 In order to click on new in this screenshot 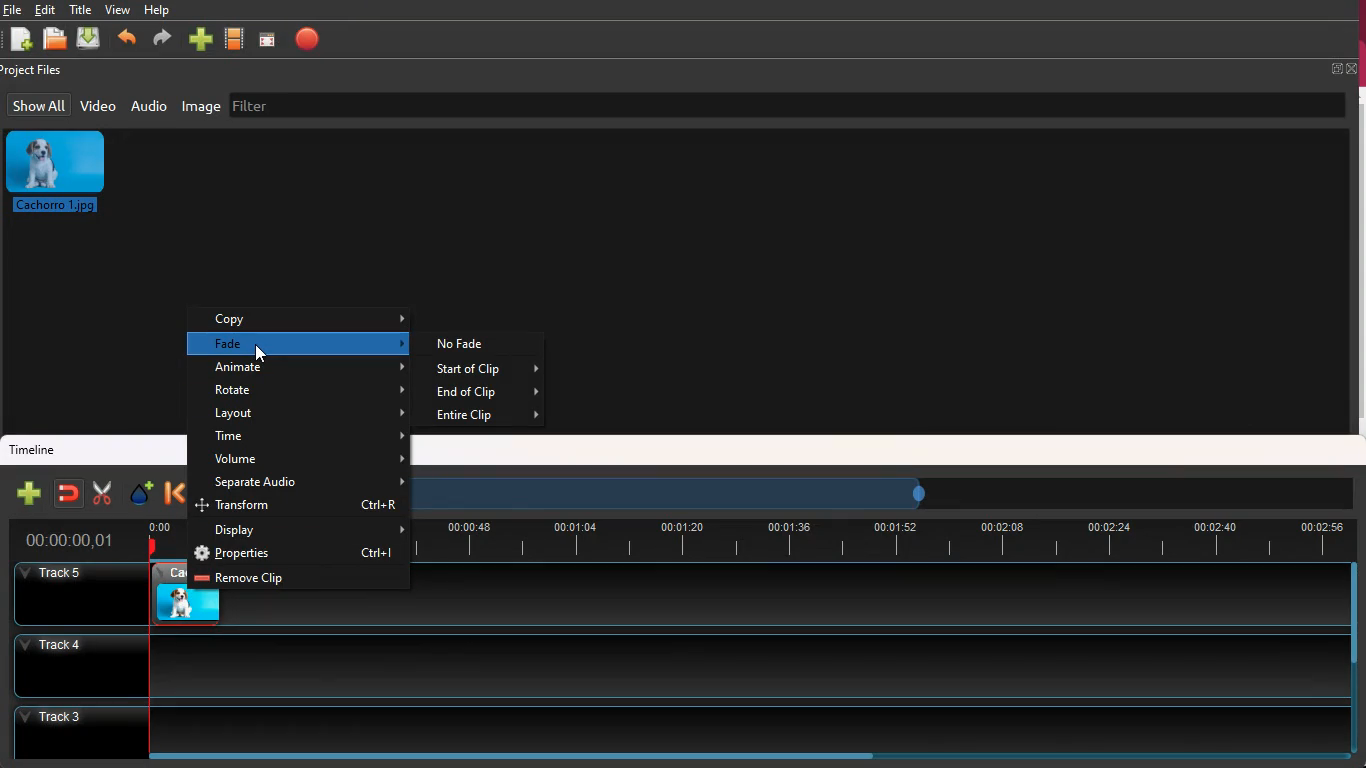, I will do `click(203, 37)`.